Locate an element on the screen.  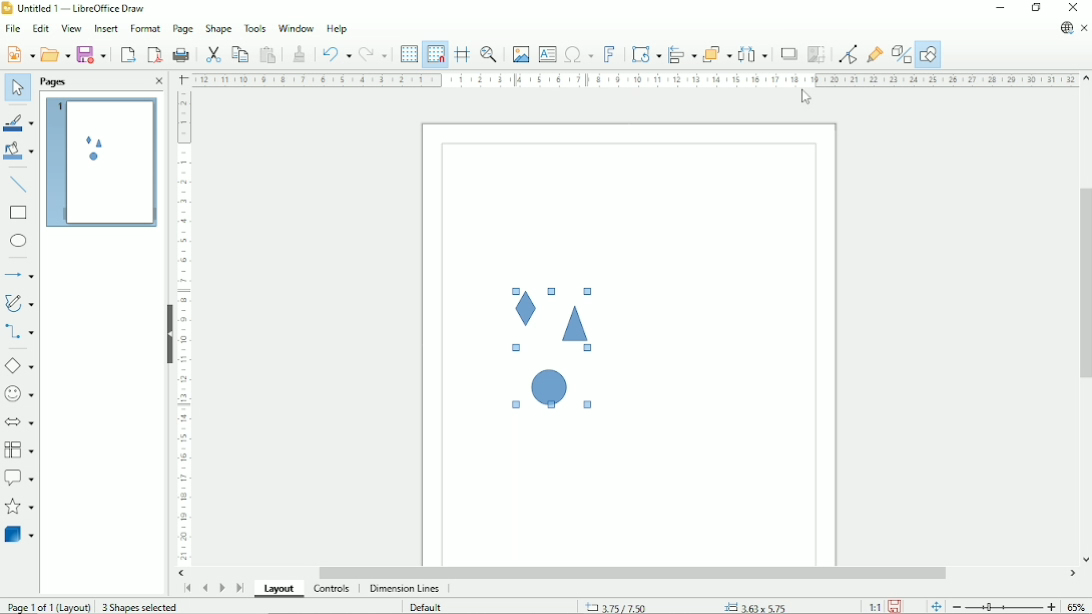
Block arrows is located at coordinates (20, 421).